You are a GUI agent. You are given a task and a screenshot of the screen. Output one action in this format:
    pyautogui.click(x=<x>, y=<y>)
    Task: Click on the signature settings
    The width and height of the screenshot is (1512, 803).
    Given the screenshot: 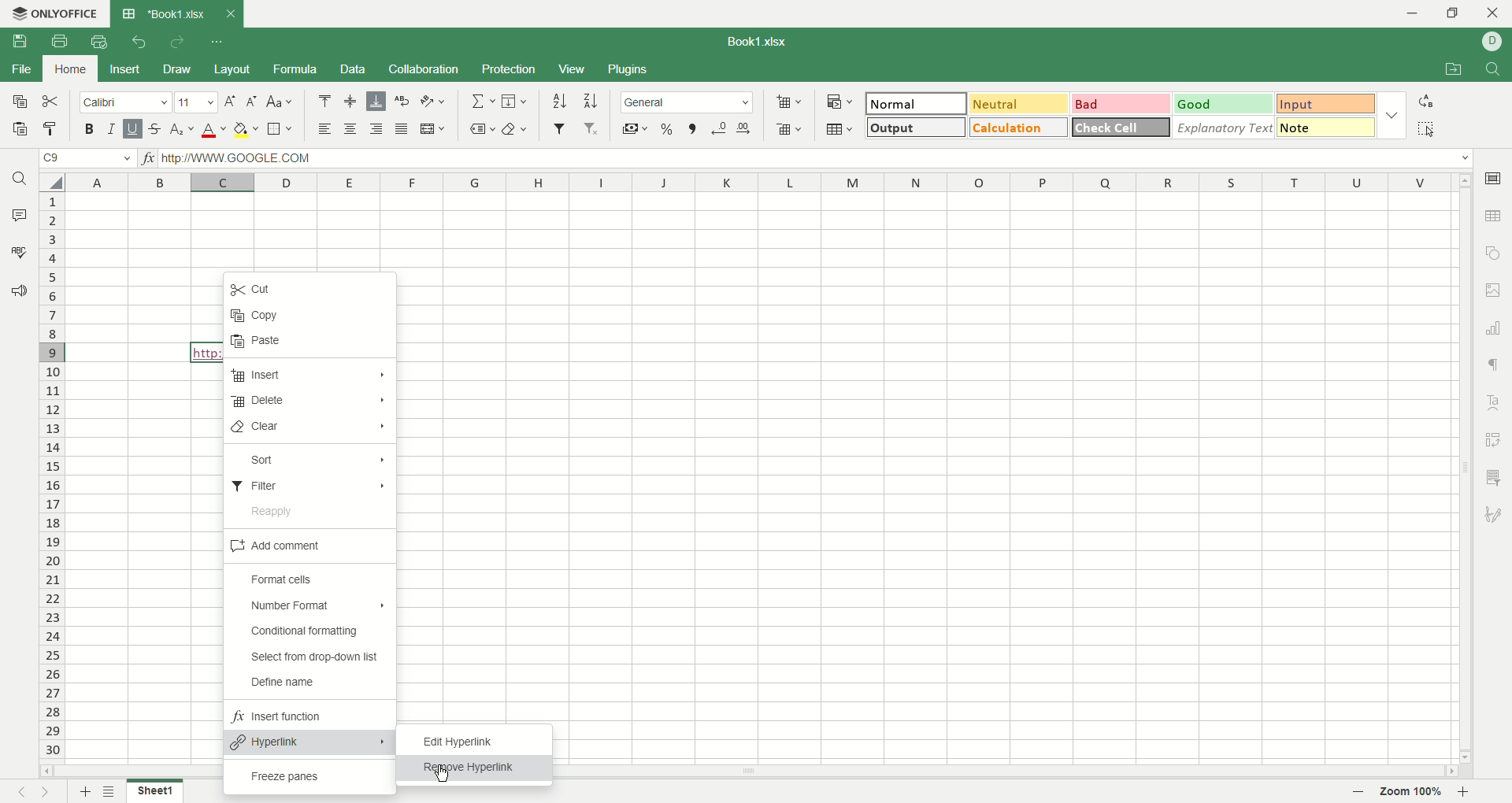 What is the action you would take?
    pyautogui.click(x=1495, y=516)
    